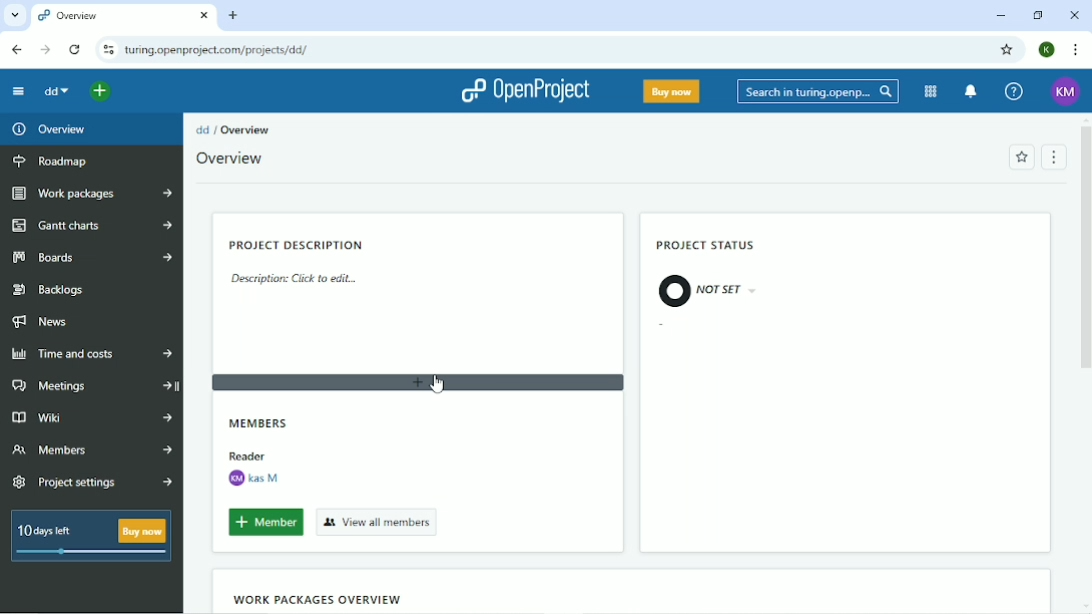 The height and width of the screenshot is (614, 1092). What do you see at coordinates (1072, 50) in the screenshot?
I see `Customize and control google chrome` at bounding box center [1072, 50].